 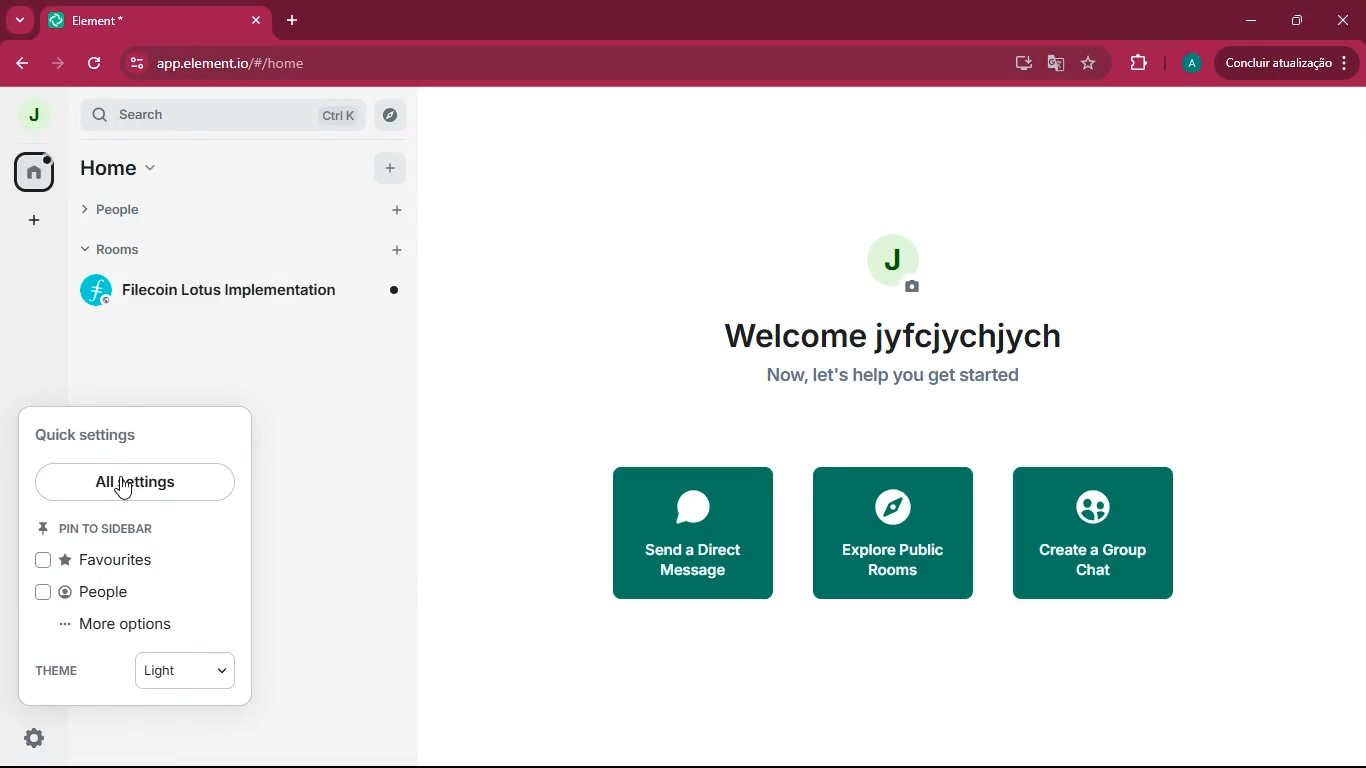 I want to click on Cursor, so click(x=124, y=490).